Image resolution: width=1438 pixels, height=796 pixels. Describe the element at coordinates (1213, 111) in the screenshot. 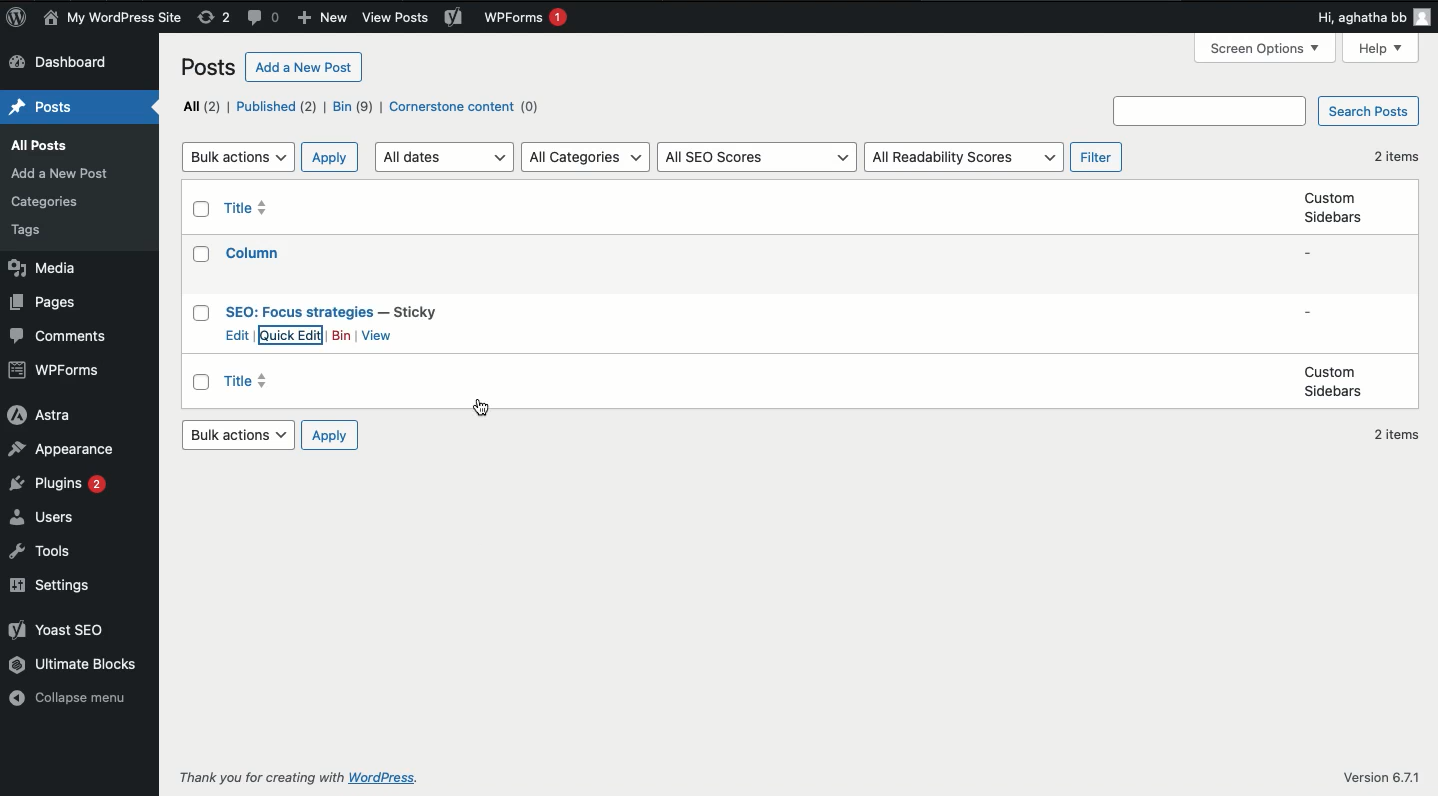

I see `Search` at that location.